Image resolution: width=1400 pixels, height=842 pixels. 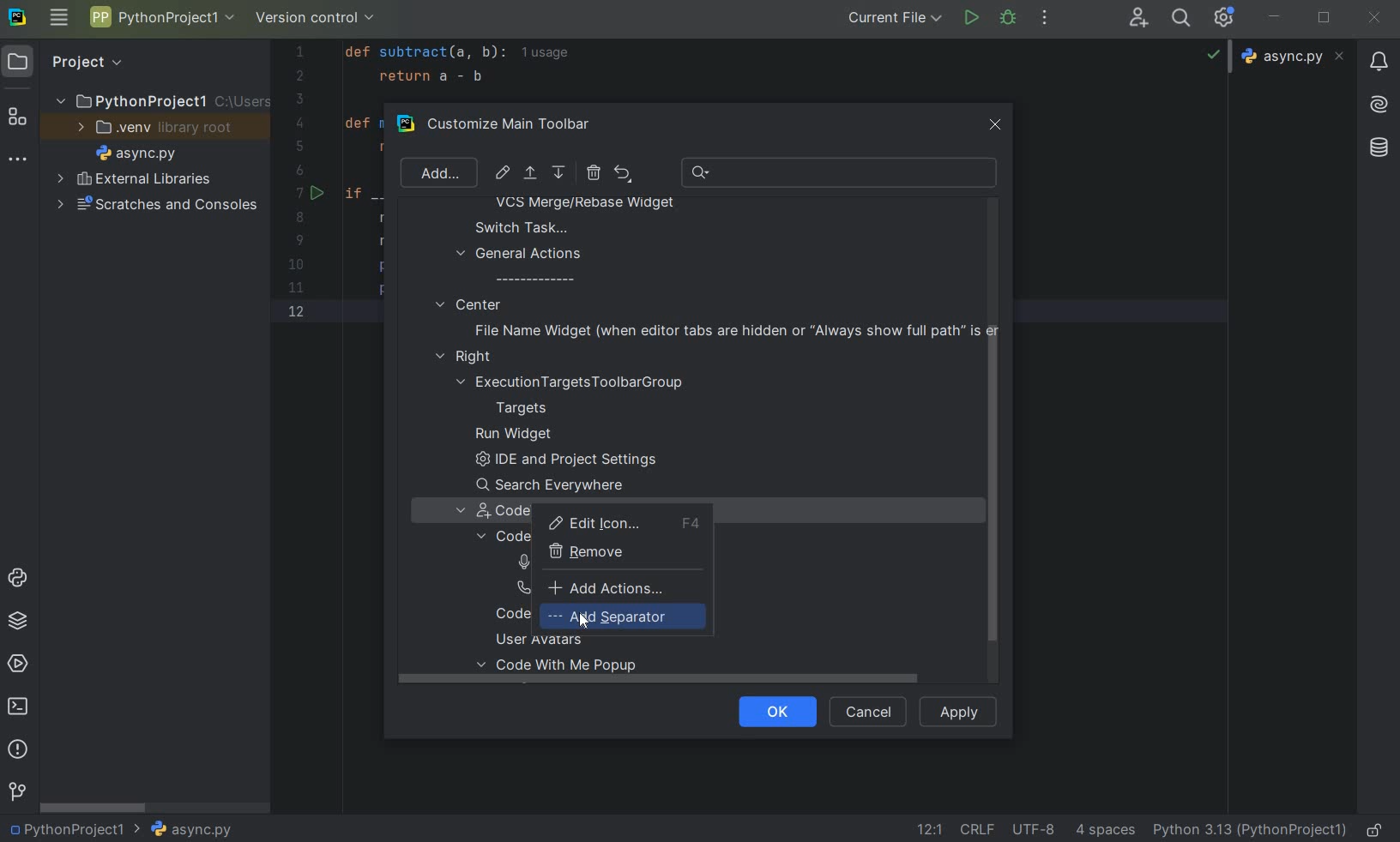 I want to click on updates, so click(x=1379, y=60).